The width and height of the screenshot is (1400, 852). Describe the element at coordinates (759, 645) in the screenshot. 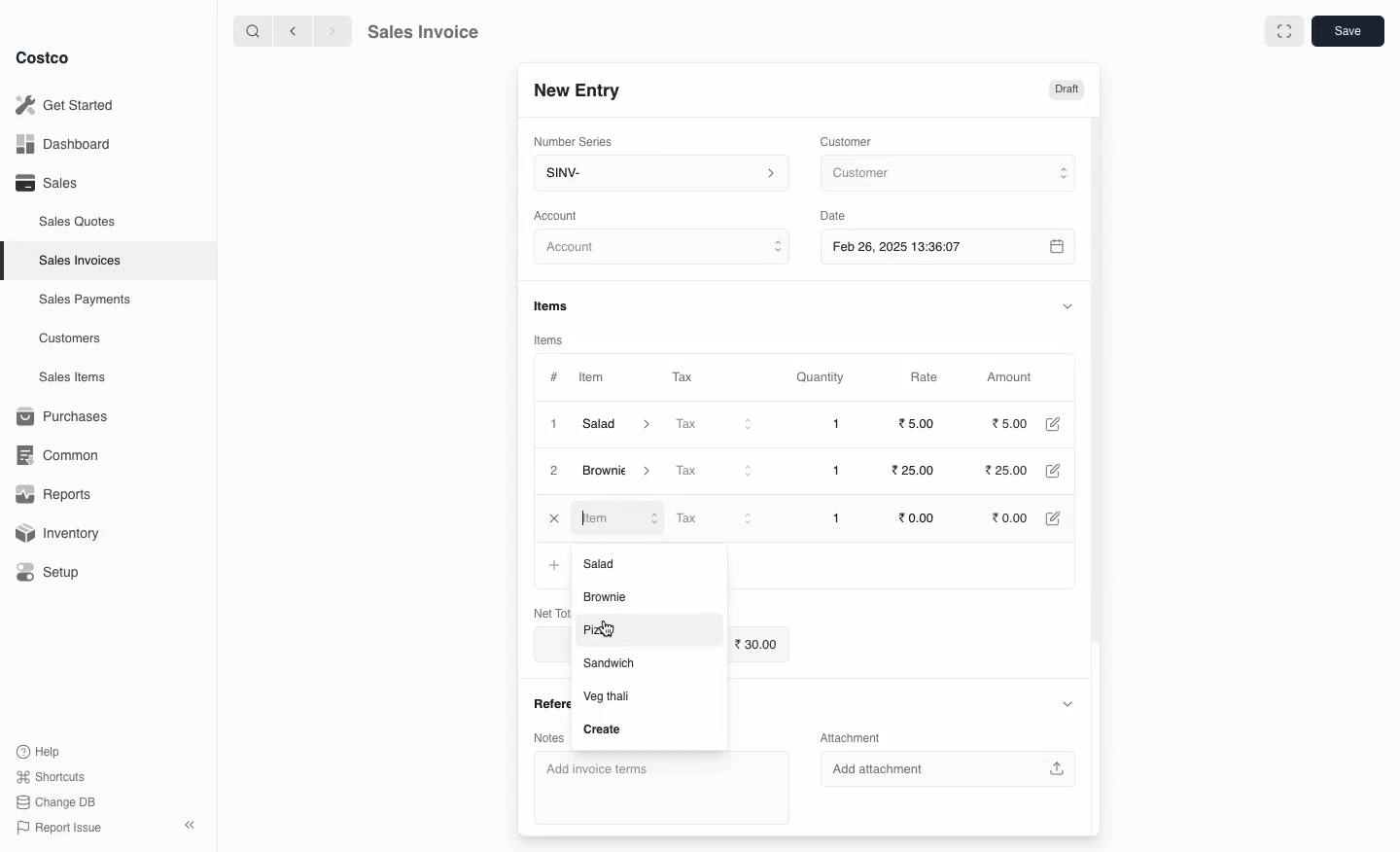

I see `30.00` at that location.